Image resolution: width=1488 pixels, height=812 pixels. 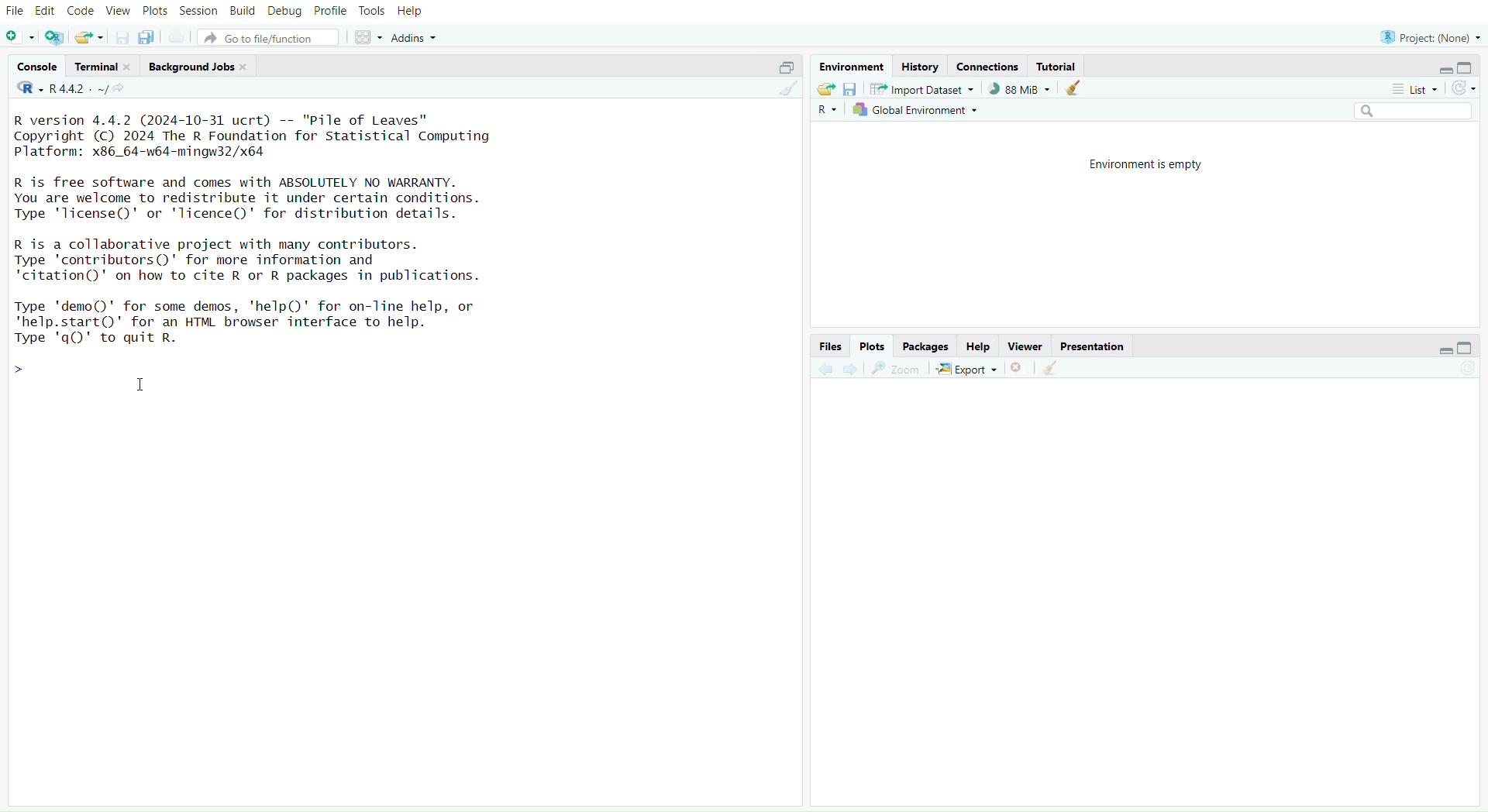 I want to click on 88 mib, so click(x=1019, y=89).